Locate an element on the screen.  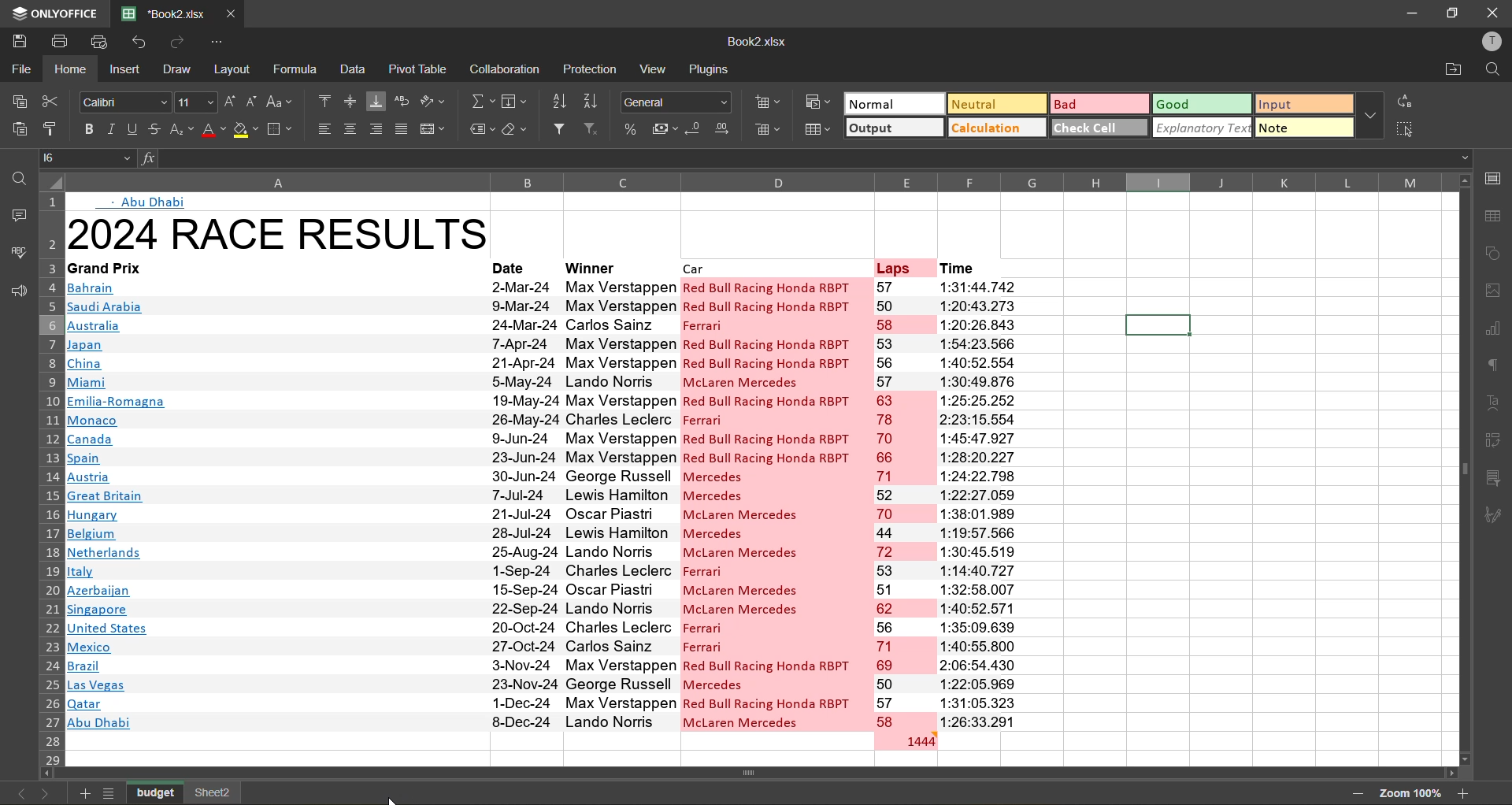
comments is located at coordinates (17, 217).